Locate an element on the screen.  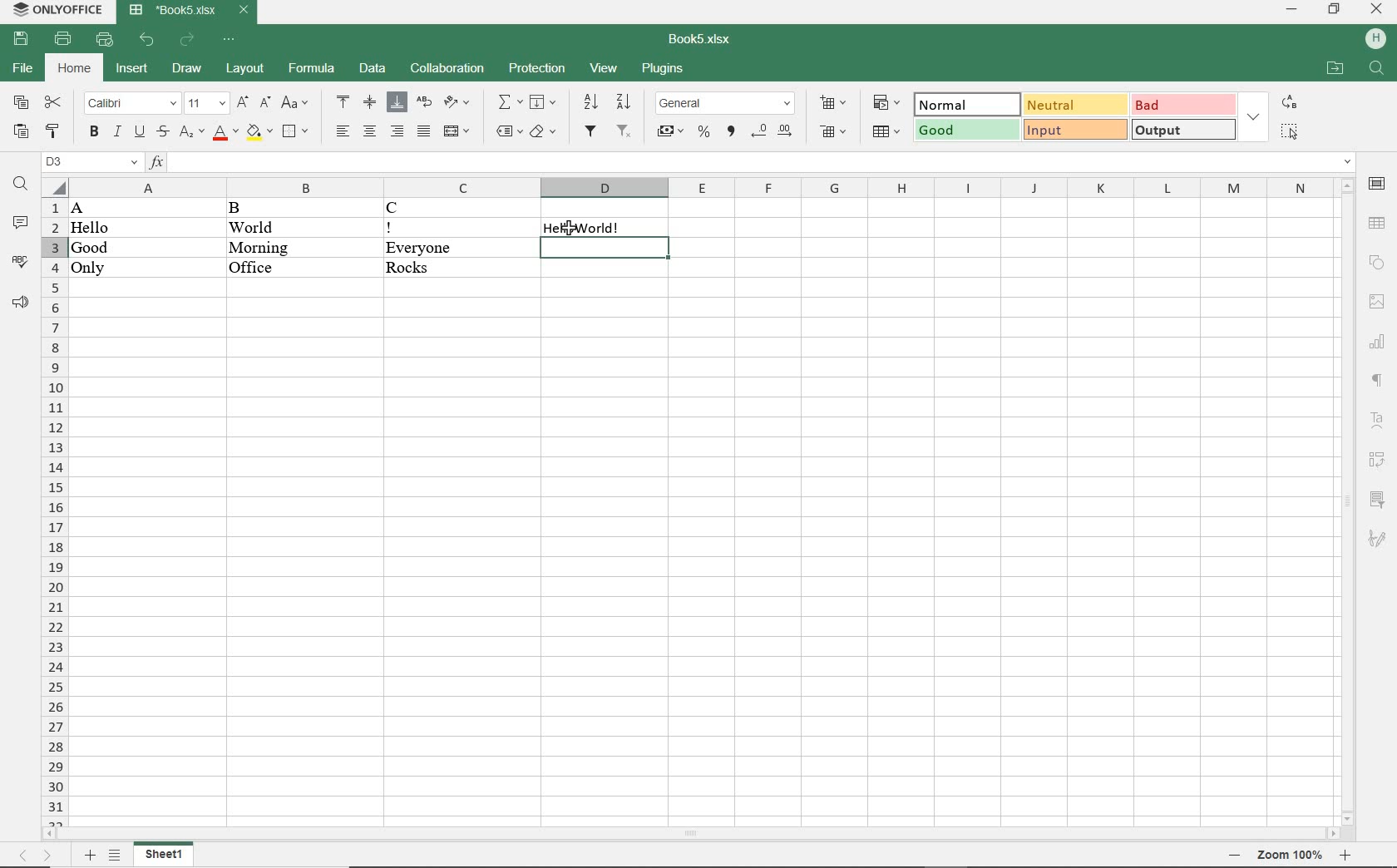
ORIENTATION is located at coordinates (456, 103).